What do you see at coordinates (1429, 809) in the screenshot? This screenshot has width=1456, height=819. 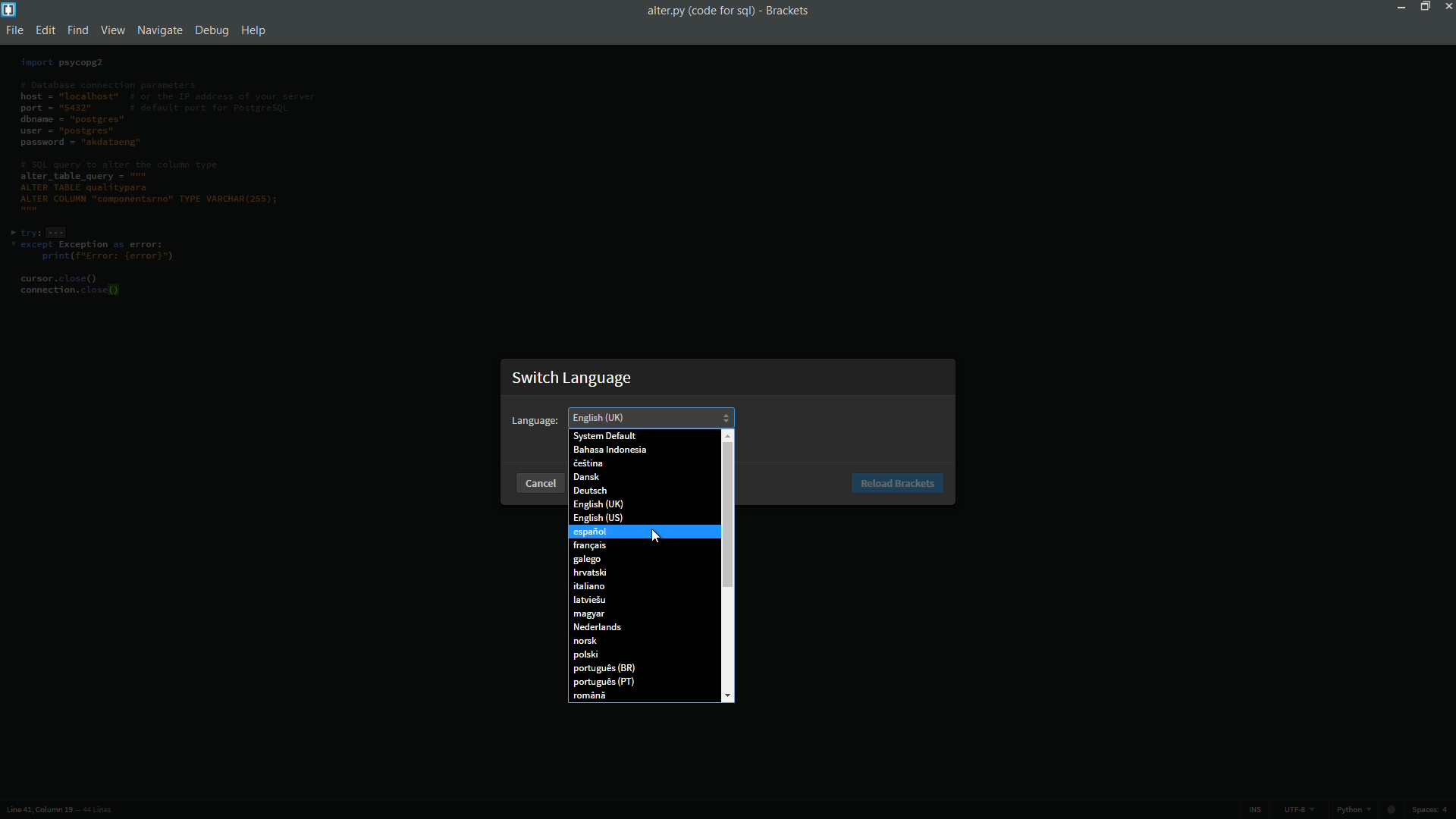 I see `space` at bounding box center [1429, 809].